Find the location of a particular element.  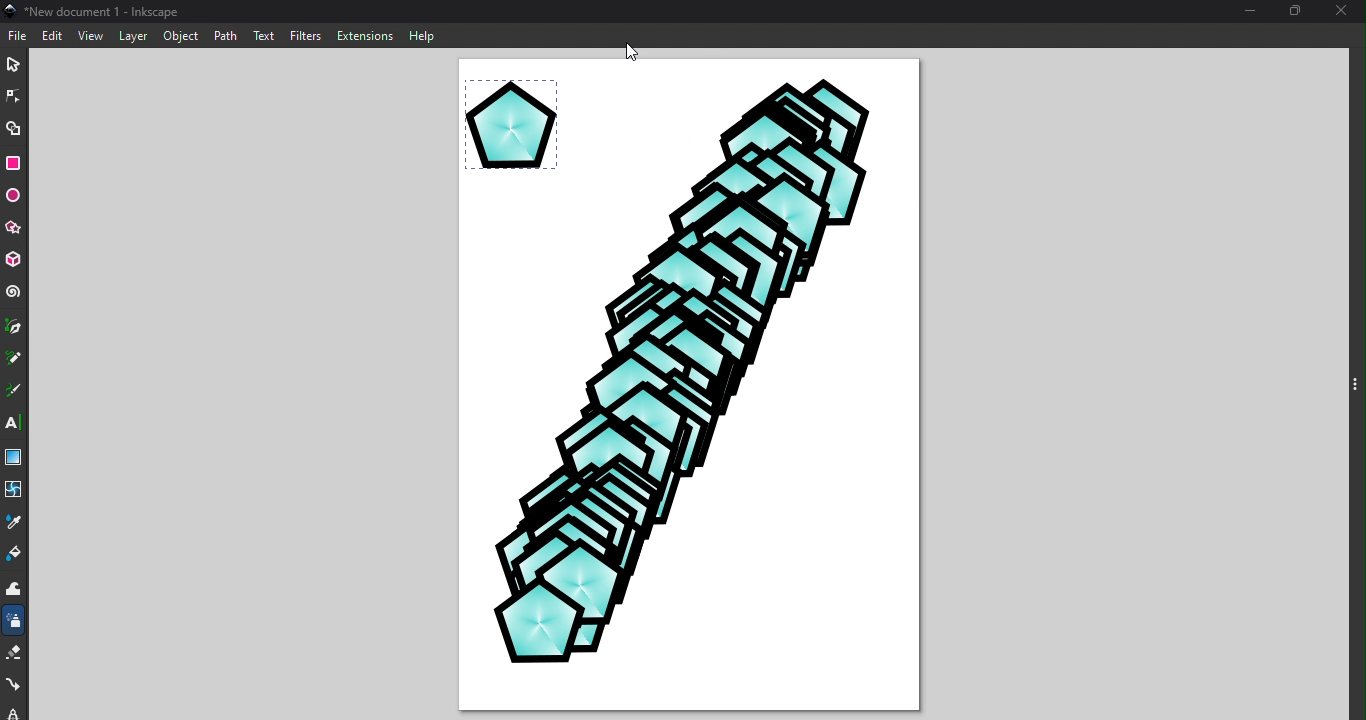

Gradient tool is located at coordinates (17, 454).